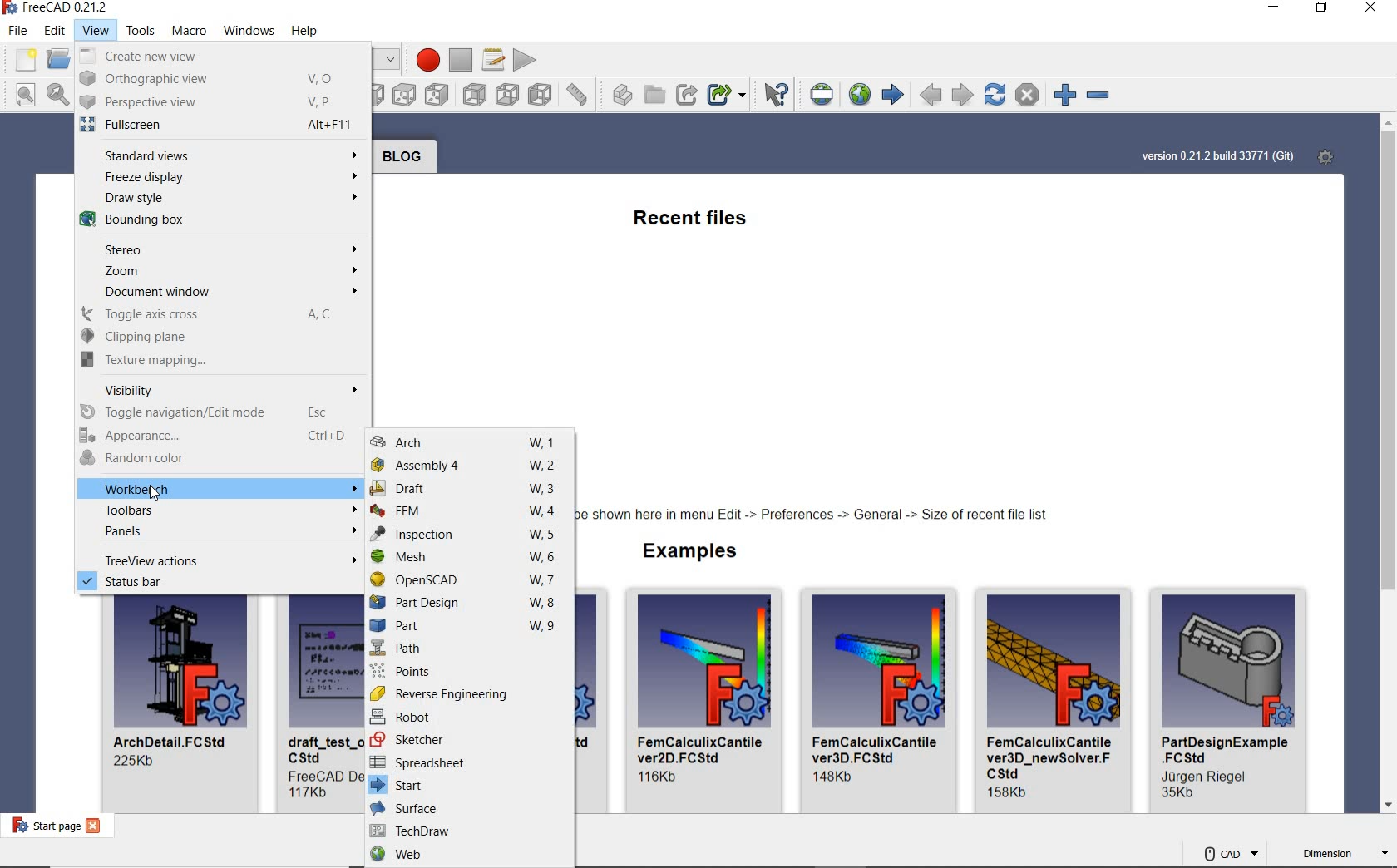 This screenshot has height=868, width=1397. What do you see at coordinates (24, 61) in the screenshot?
I see `new` at bounding box center [24, 61].